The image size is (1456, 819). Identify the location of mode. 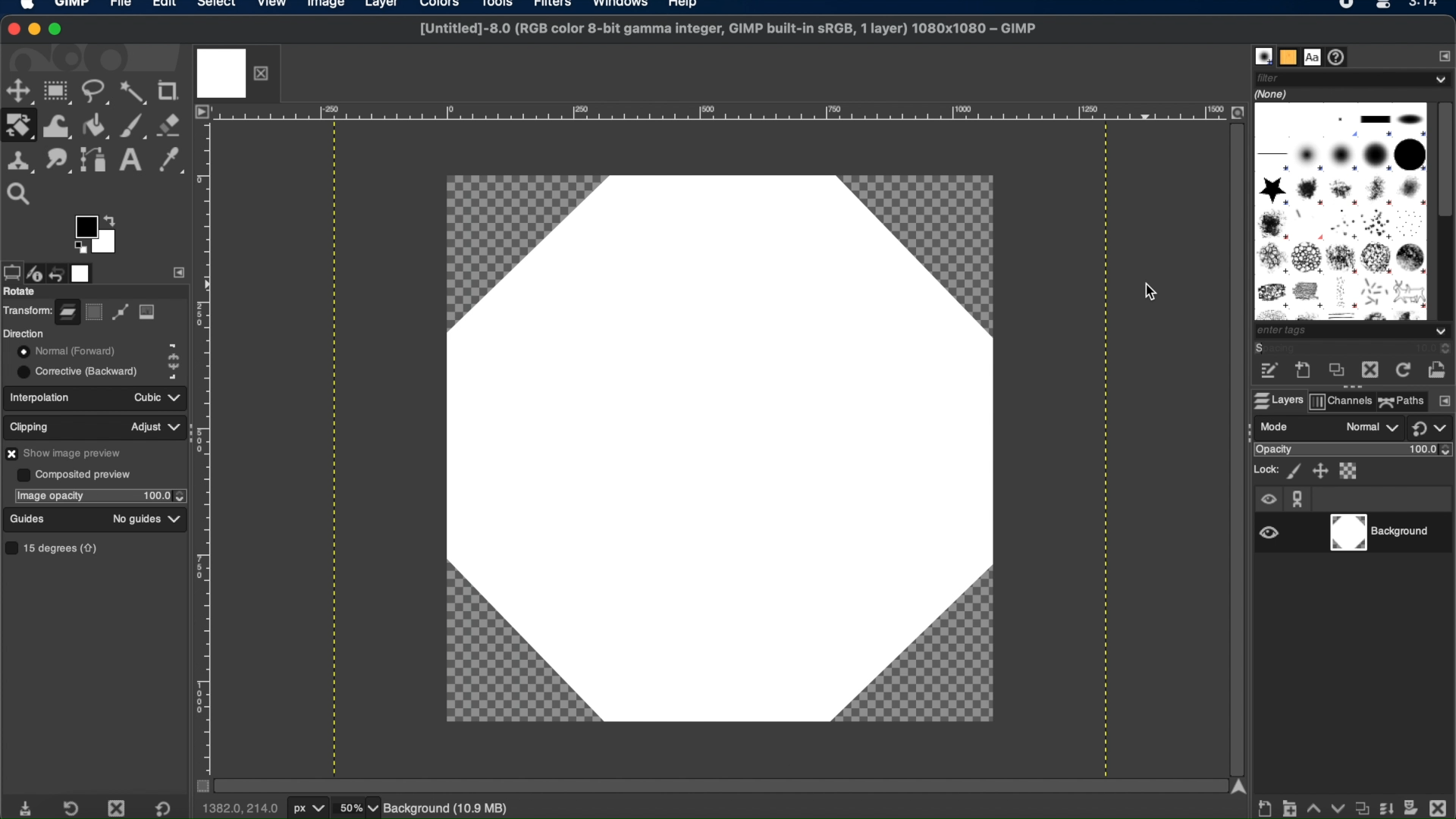
(1276, 426).